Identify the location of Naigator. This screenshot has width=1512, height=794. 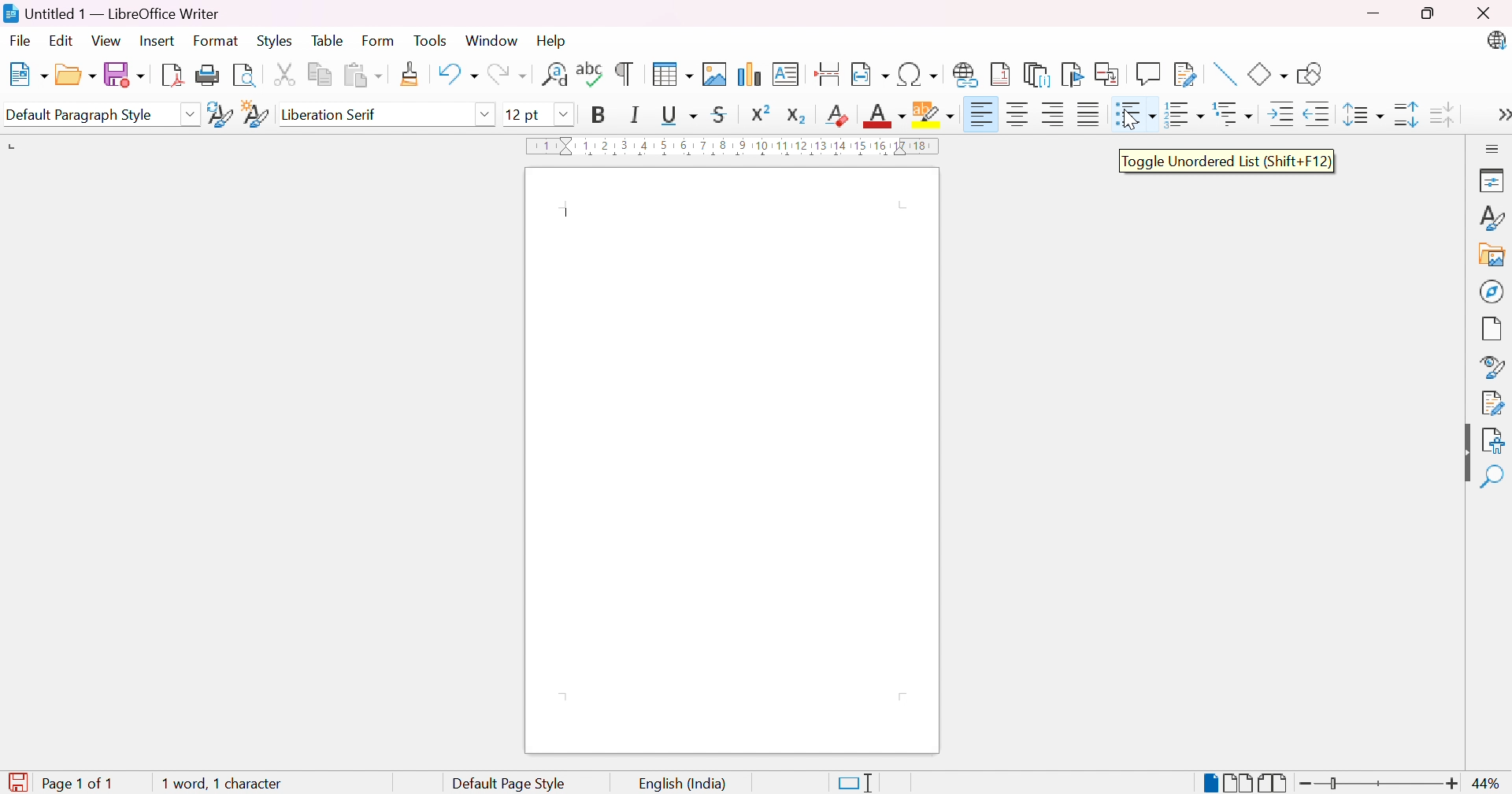
(1493, 291).